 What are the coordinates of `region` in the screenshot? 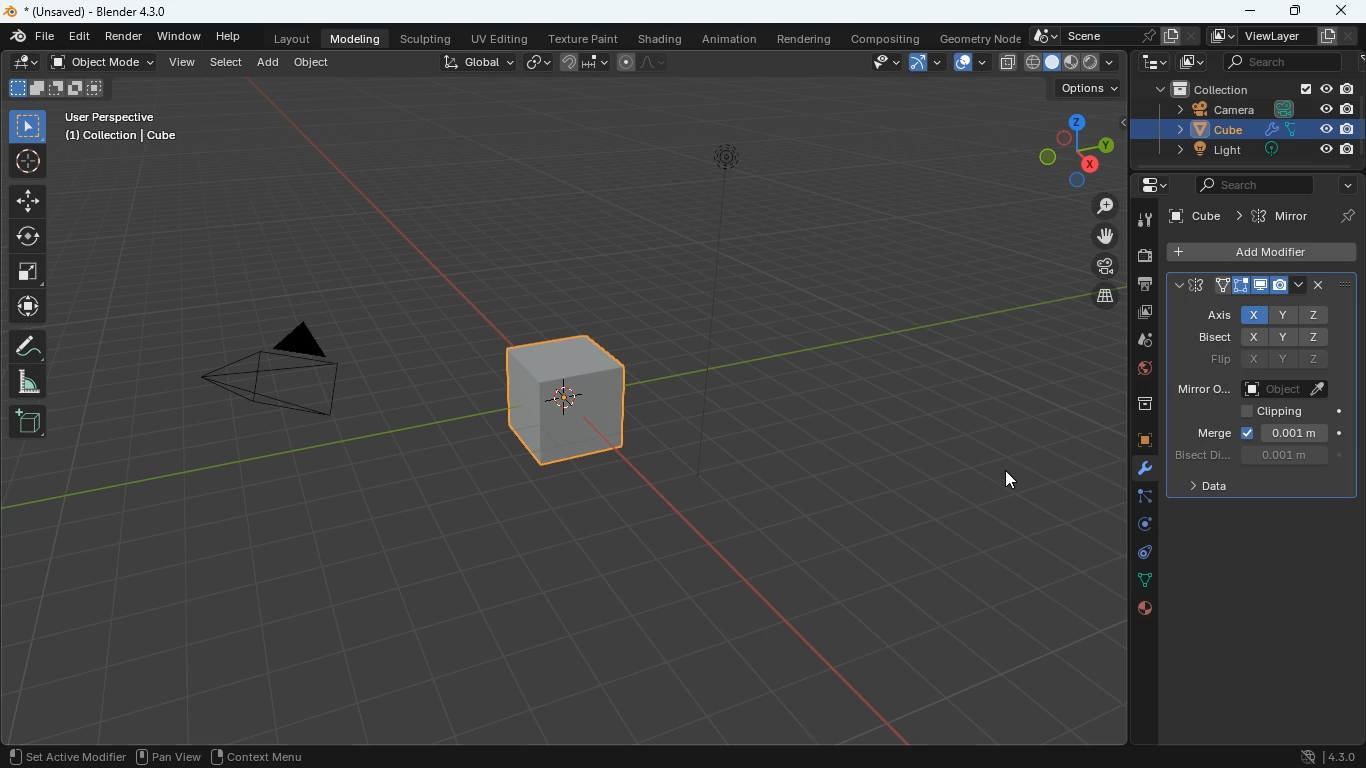 It's located at (119, 757).